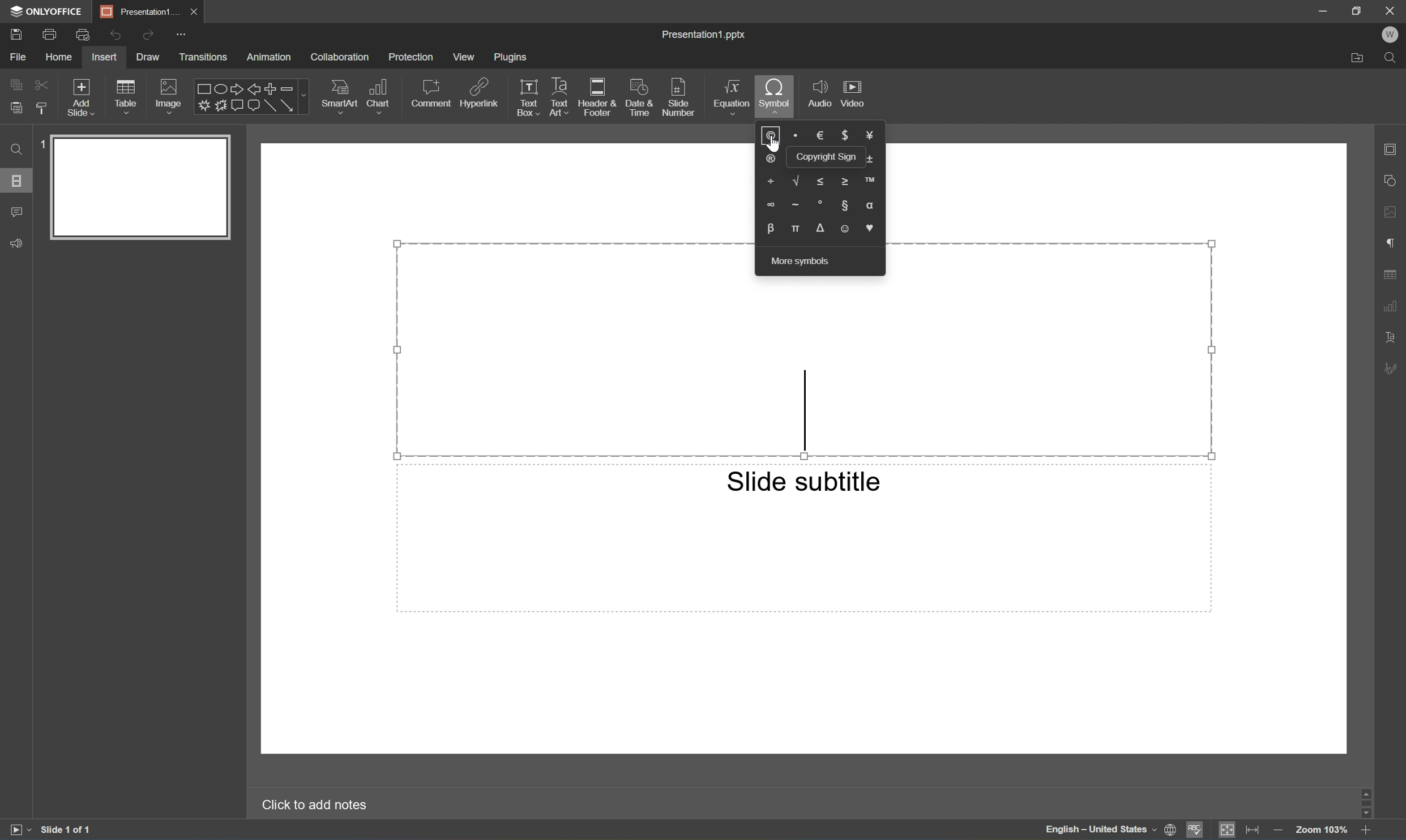 The image size is (1406, 840). I want to click on File, so click(15, 57).